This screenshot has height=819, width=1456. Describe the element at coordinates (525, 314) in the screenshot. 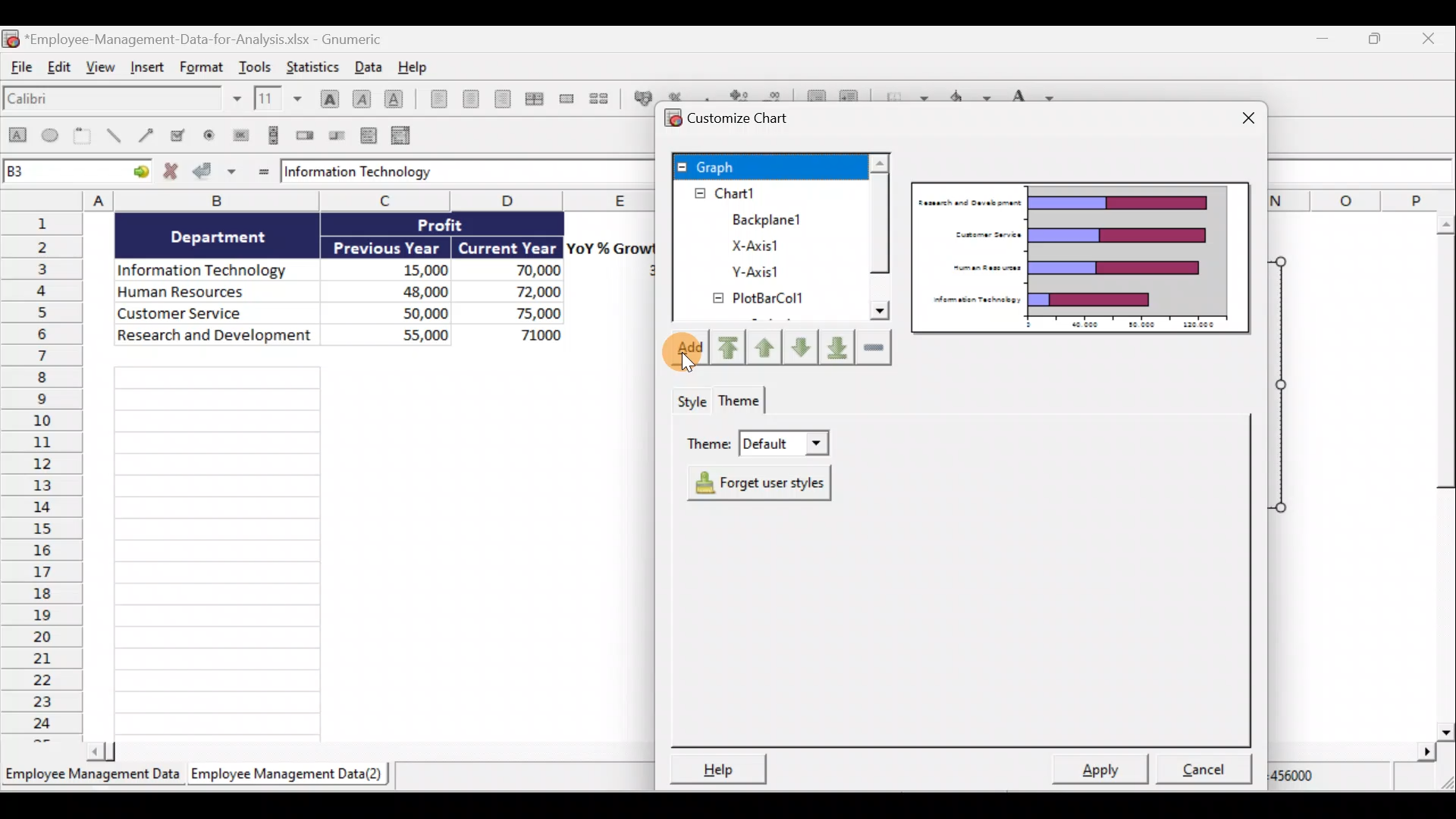

I see `75,000` at that location.